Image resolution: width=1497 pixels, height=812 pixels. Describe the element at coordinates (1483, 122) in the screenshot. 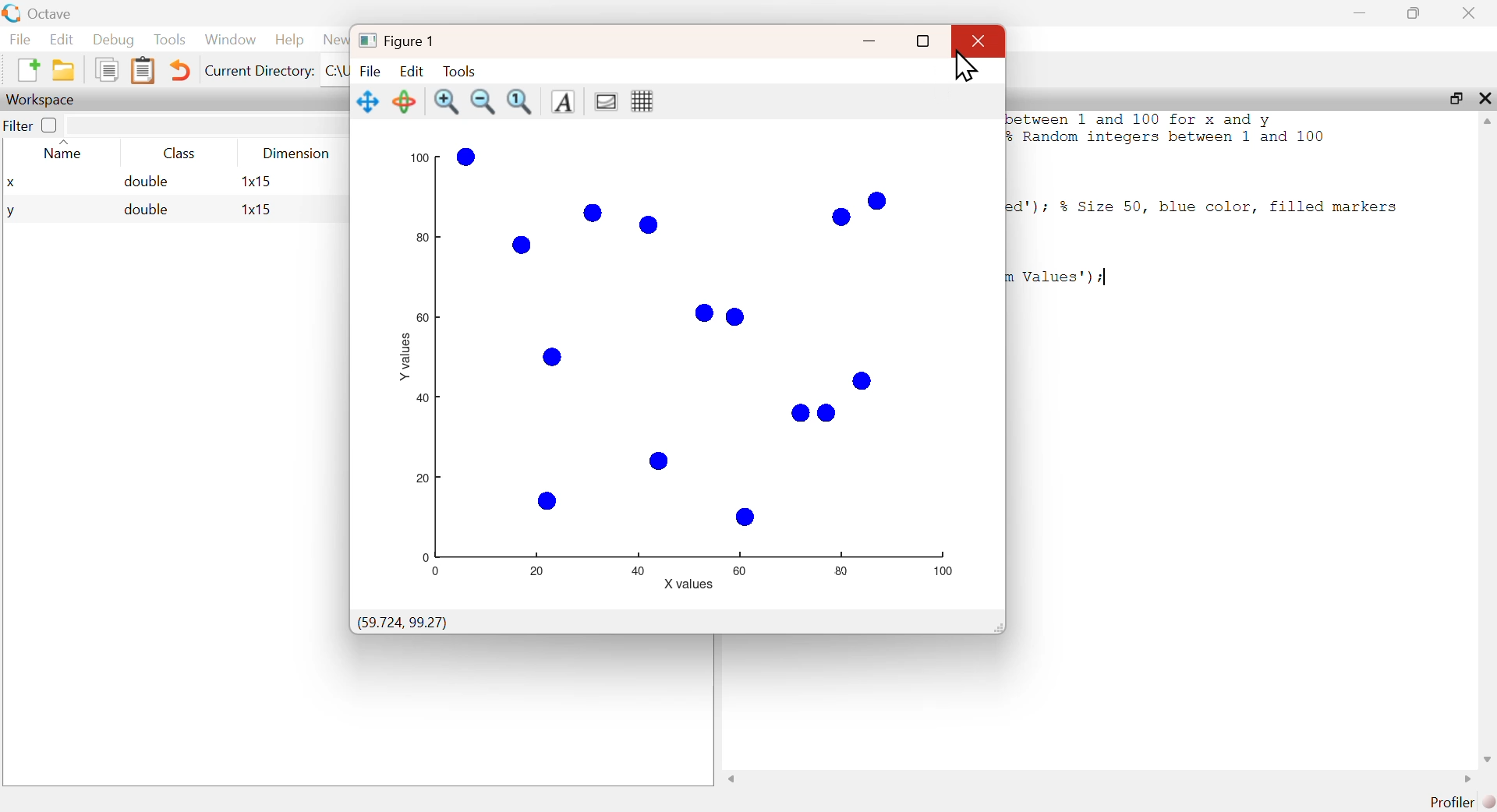

I see `scroll up` at that location.